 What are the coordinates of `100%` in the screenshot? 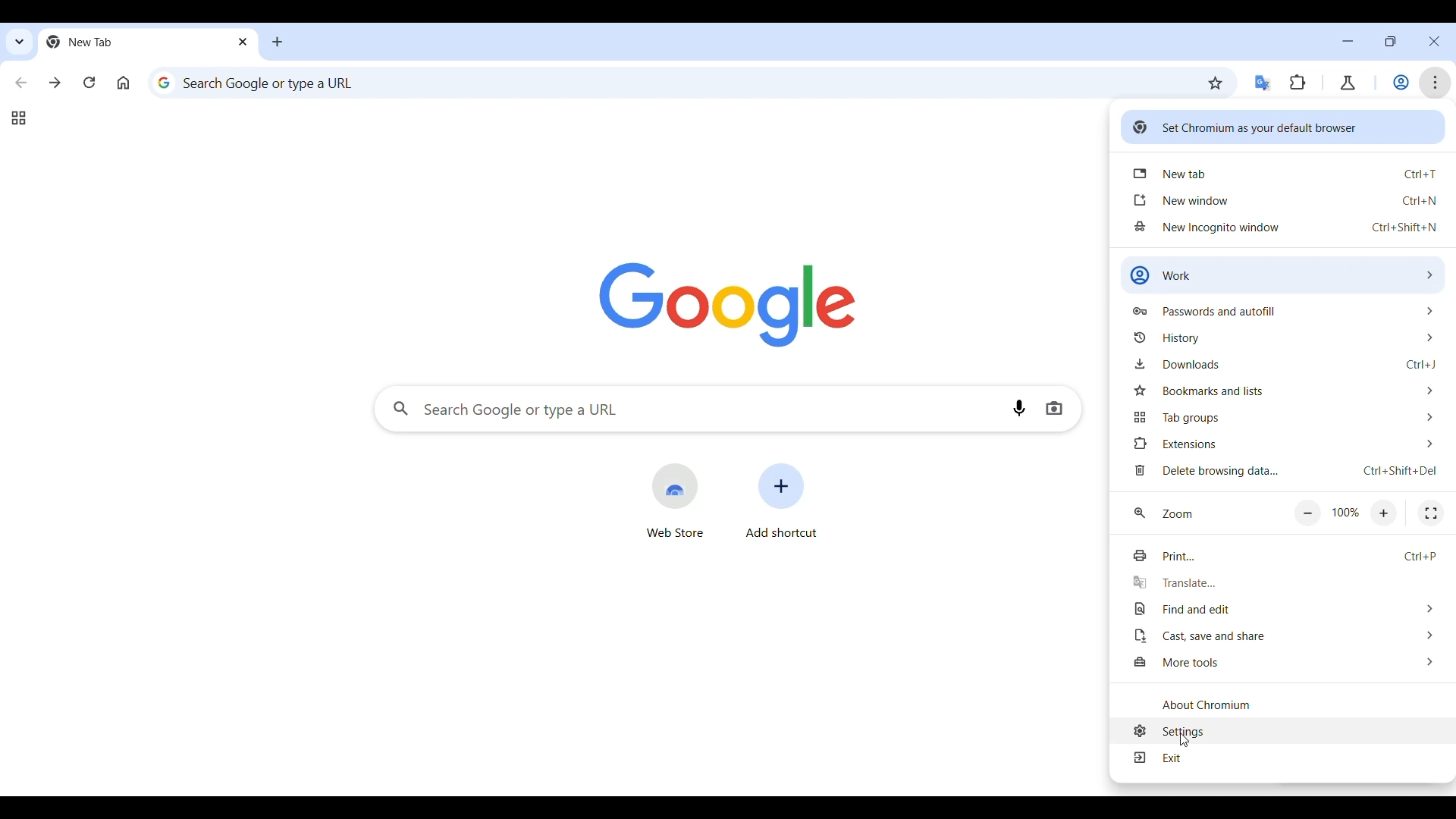 It's located at (1347, 513).